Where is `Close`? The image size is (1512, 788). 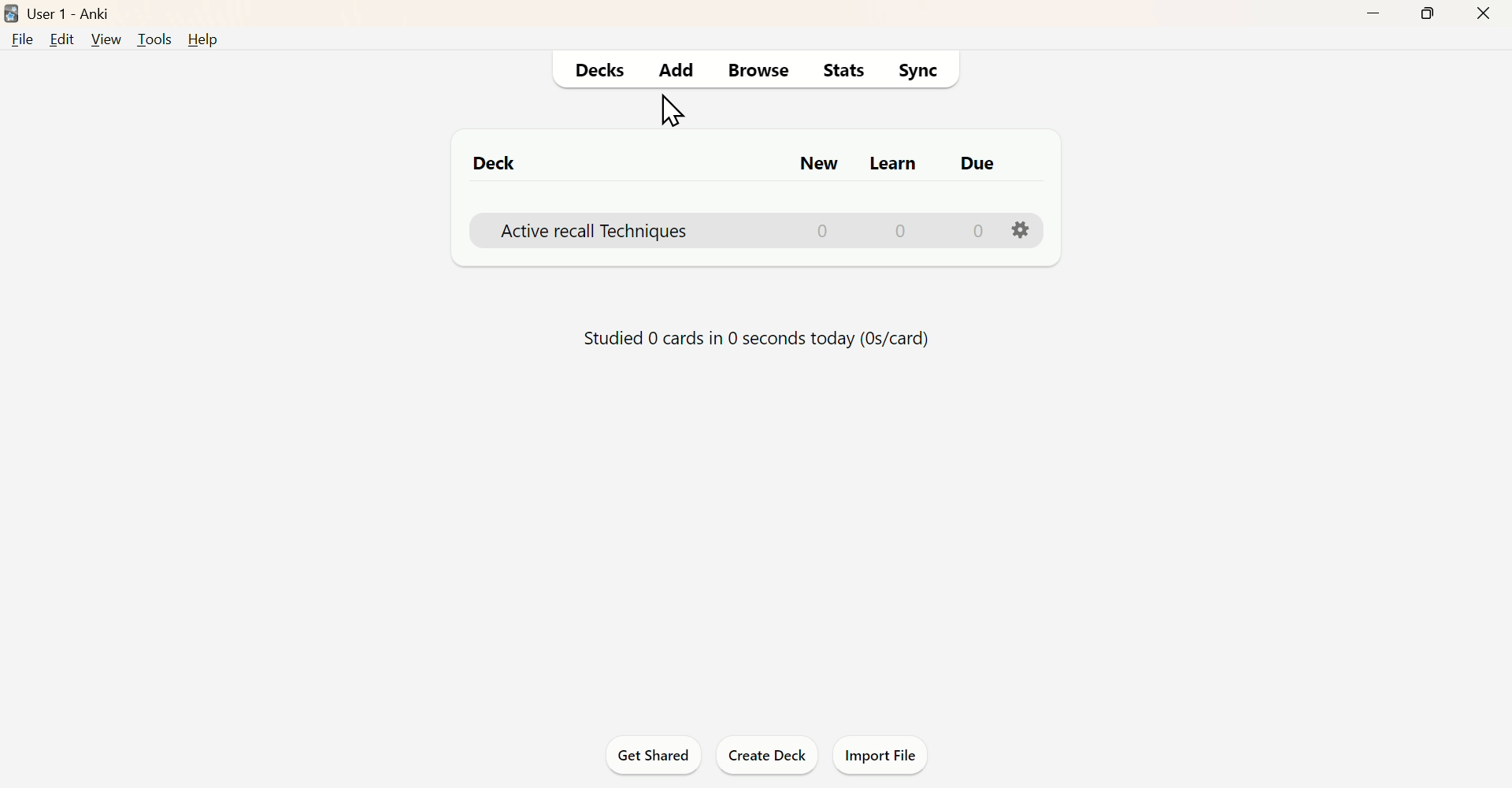
Close is located at coordinates (1482, 13).